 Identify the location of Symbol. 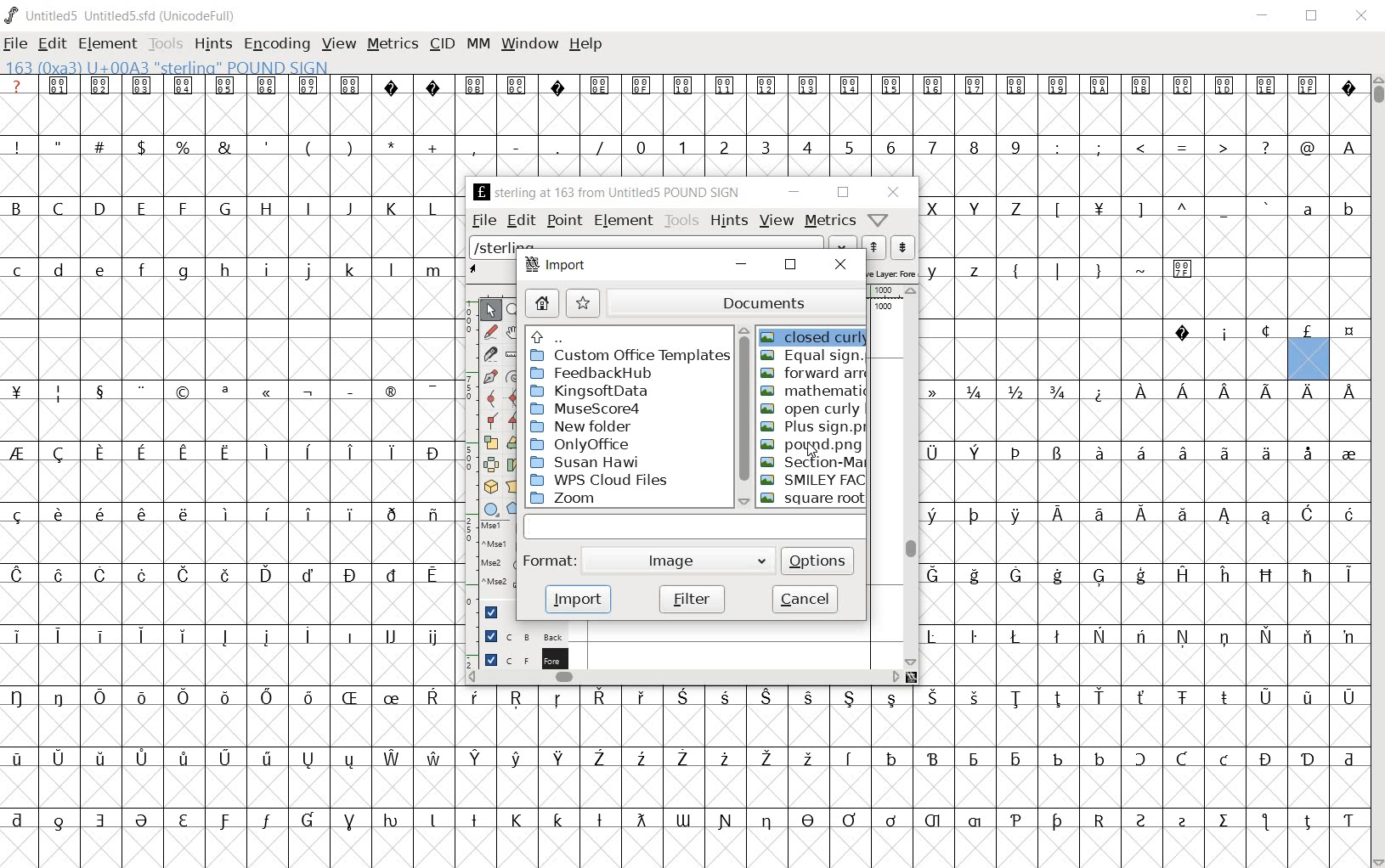
(100, 760).